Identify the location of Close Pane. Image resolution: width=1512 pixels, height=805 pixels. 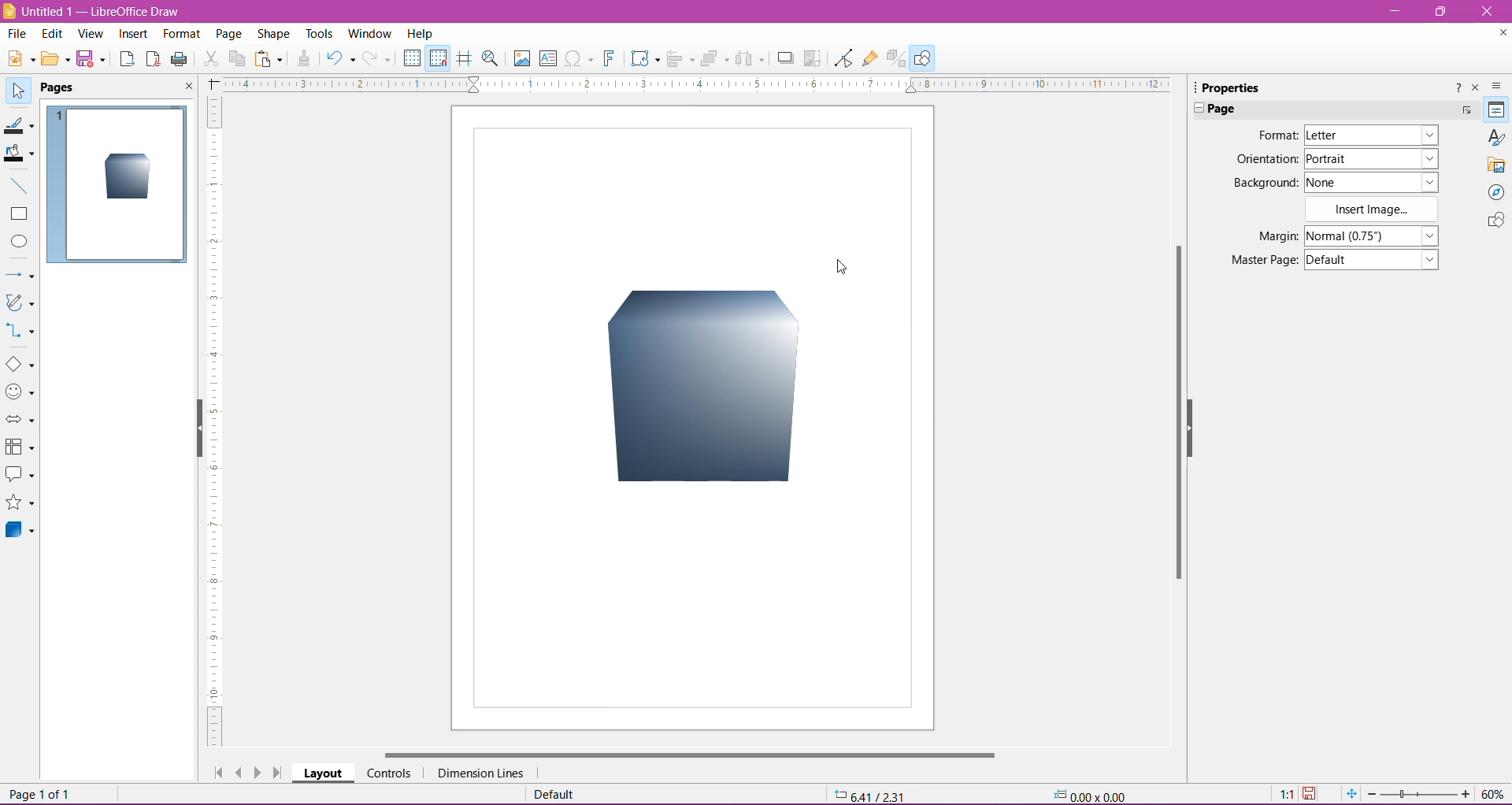
(184, 87).